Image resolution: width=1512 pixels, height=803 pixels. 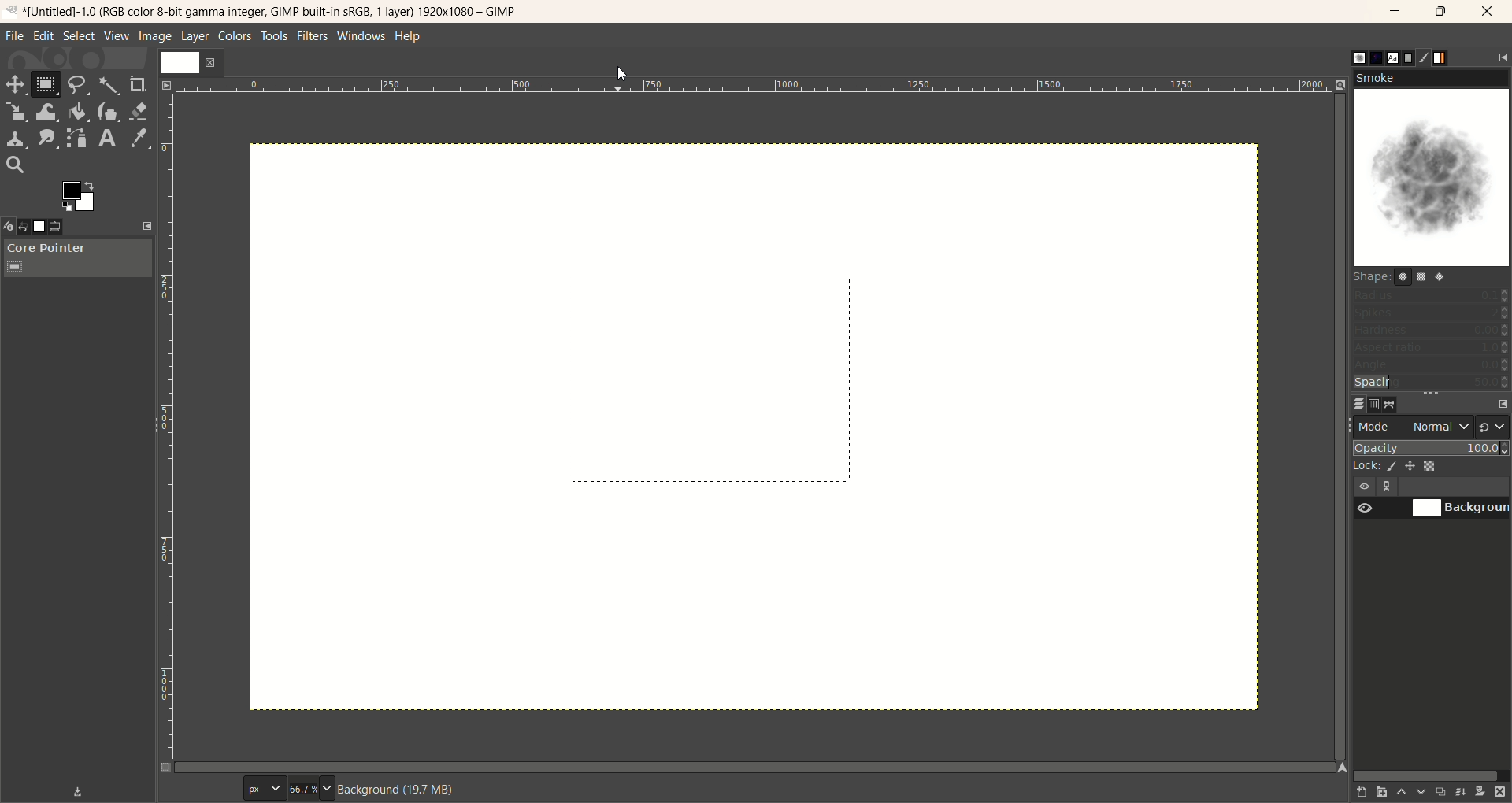 I want to click on spikes, so click(x=1431, y=314).